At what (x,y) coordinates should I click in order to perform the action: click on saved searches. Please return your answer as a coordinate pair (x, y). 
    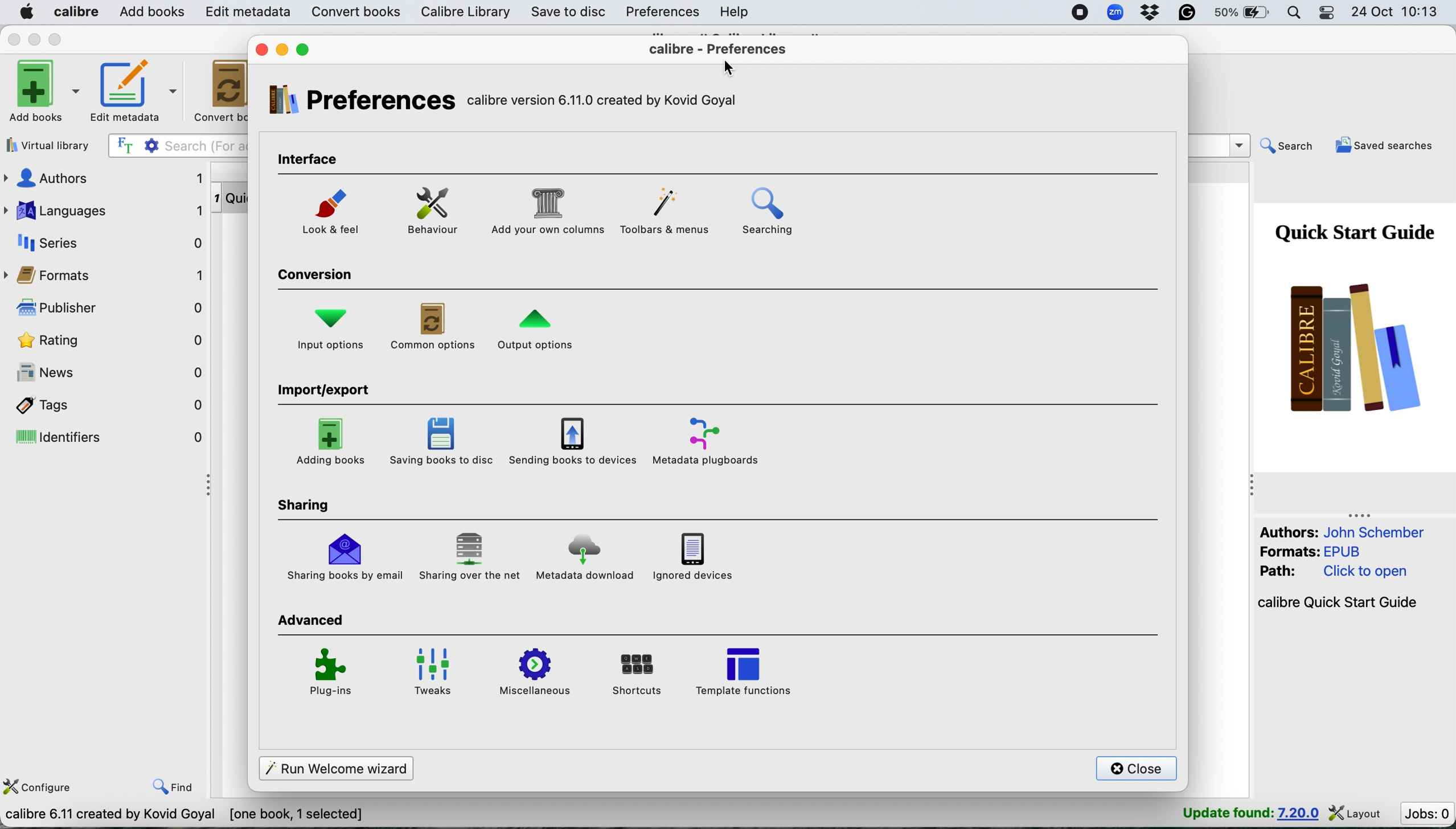
    Looking at the image, I should click on (1388, 144).